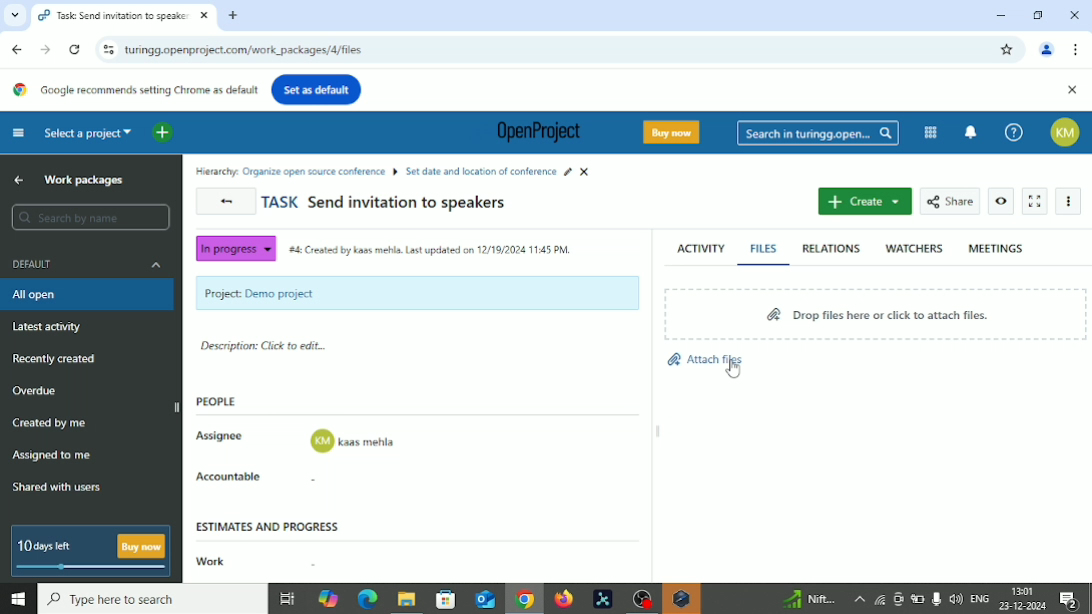  What do you see at coordinates (1047, 51) in the screenshot?
I see `Account` at bounding box center [1047, 51].